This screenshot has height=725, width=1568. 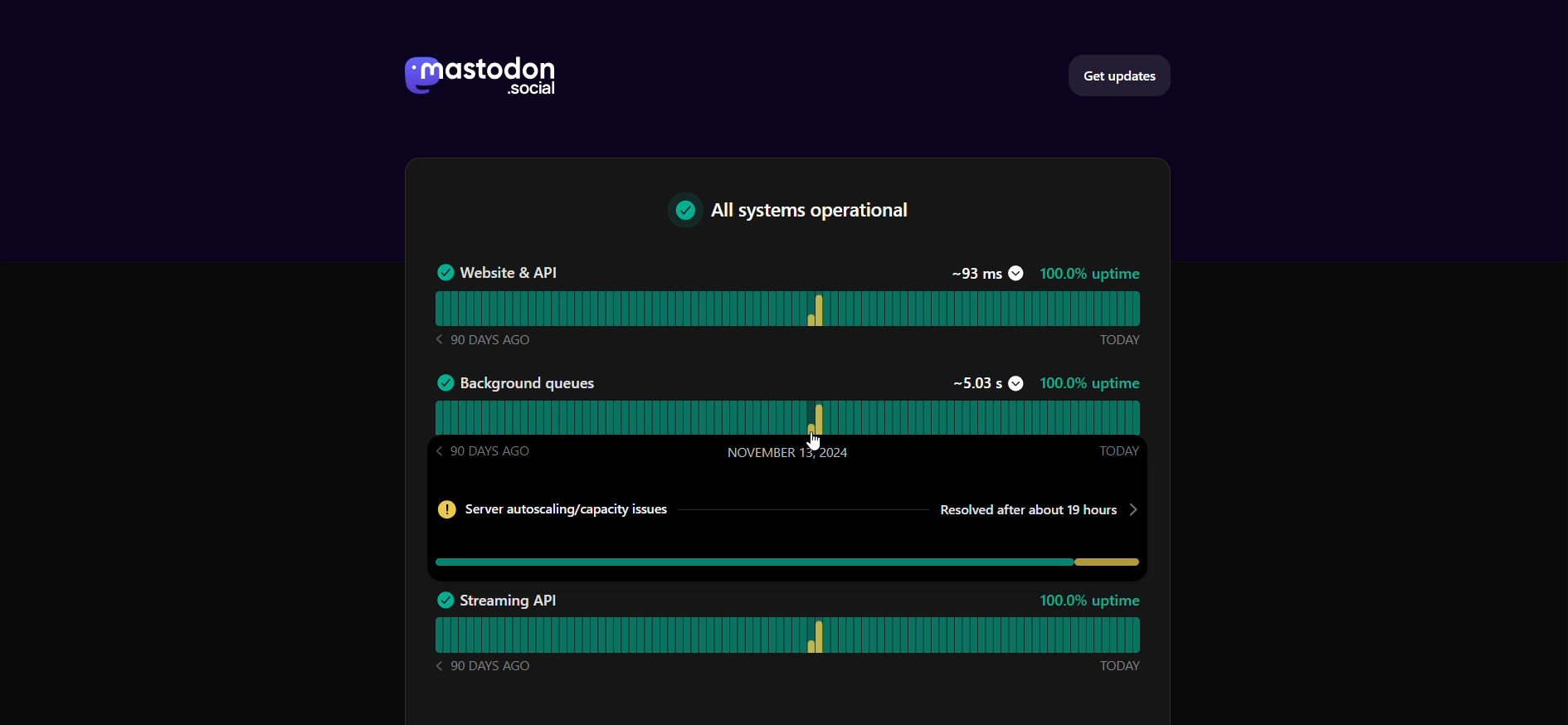 I want to click on Website & API, so click(x=499, y=270).